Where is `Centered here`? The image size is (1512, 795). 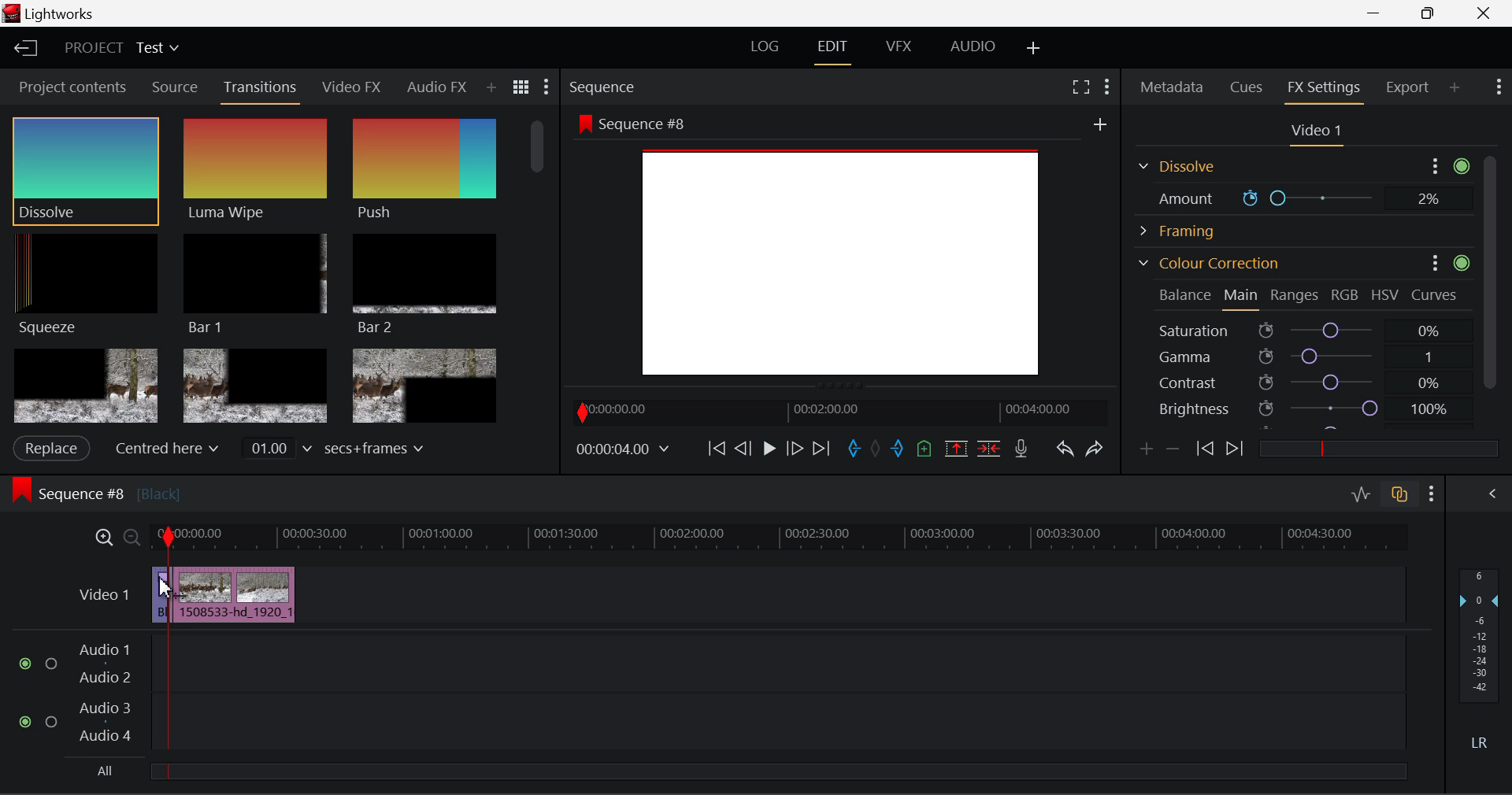 Centered here is located at coordinates (169, 448).